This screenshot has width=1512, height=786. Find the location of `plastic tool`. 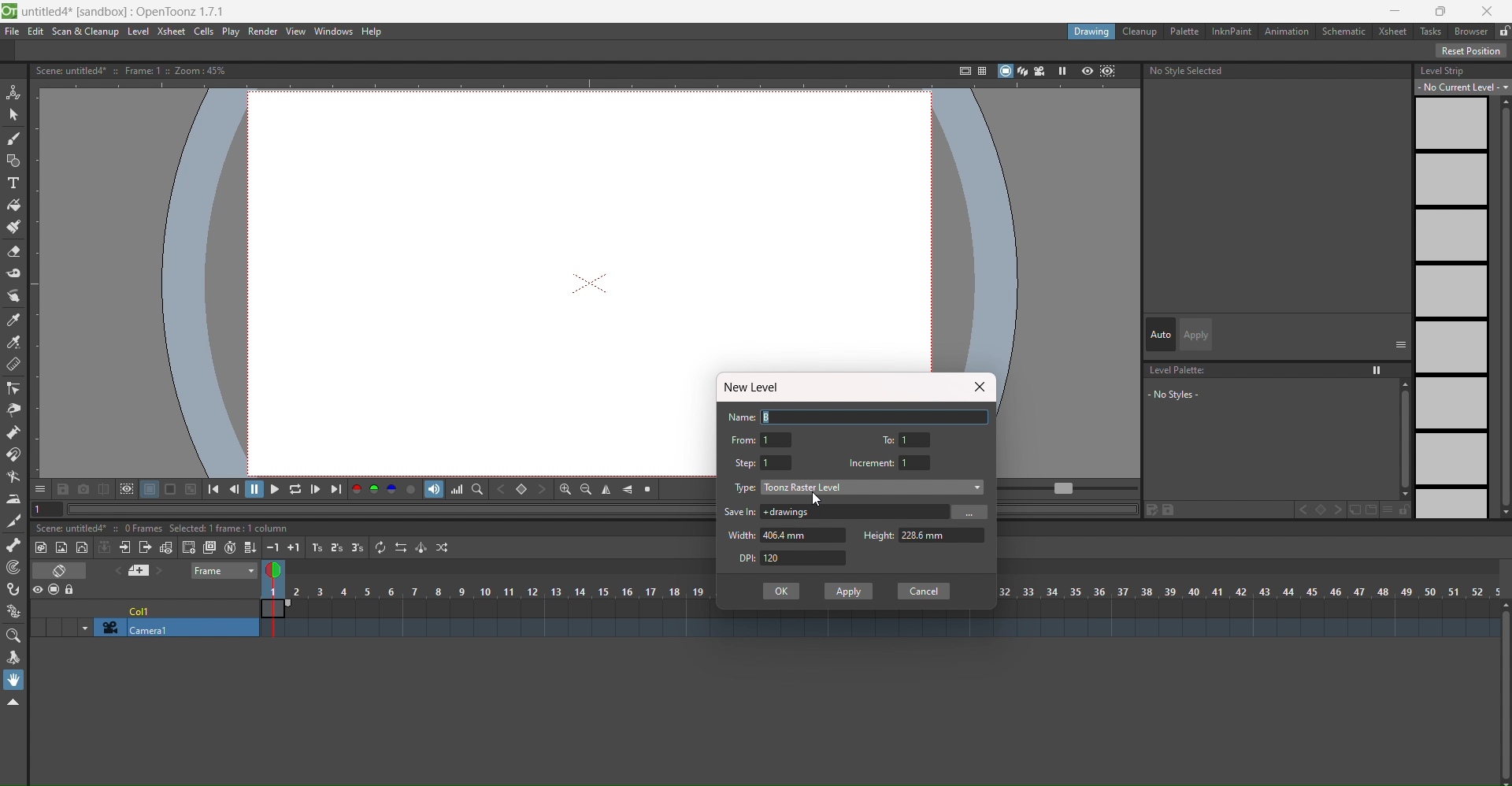

plastic tool is located at coordinates (13, 612).